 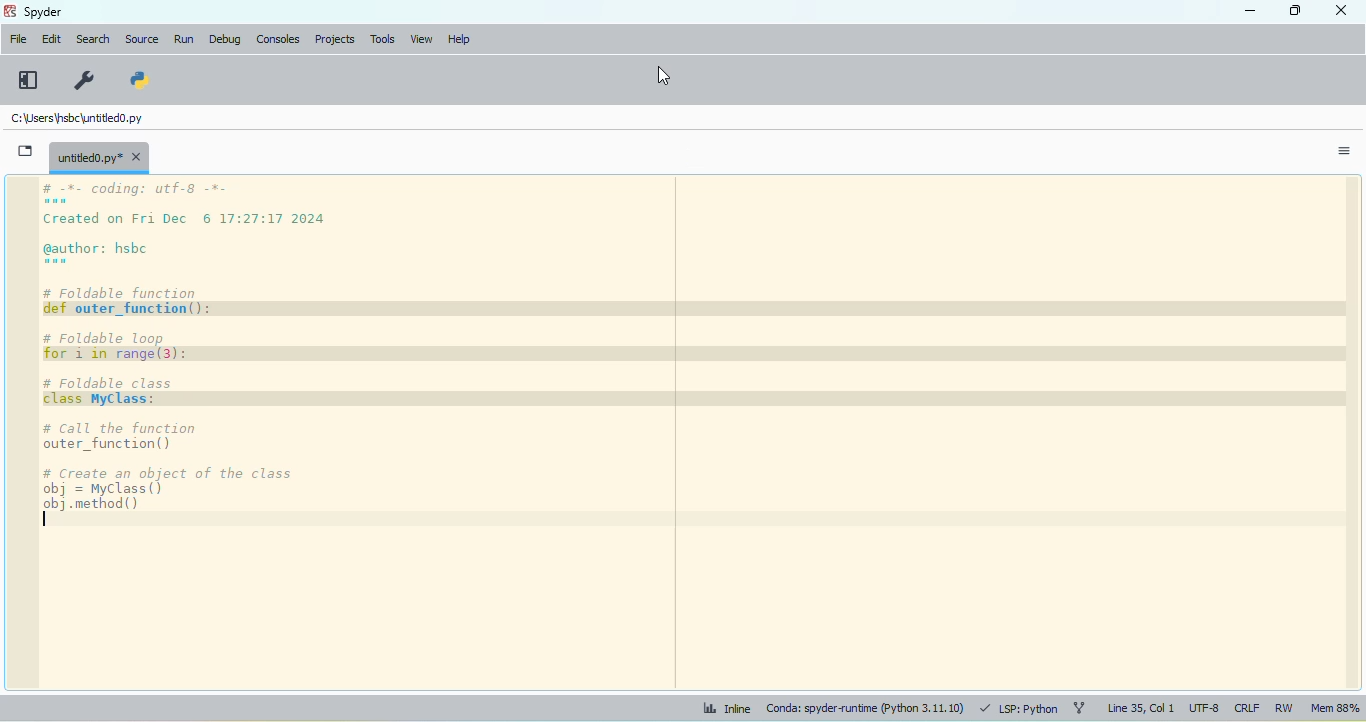 I want to click on cursor, so click(x=663, y=75).